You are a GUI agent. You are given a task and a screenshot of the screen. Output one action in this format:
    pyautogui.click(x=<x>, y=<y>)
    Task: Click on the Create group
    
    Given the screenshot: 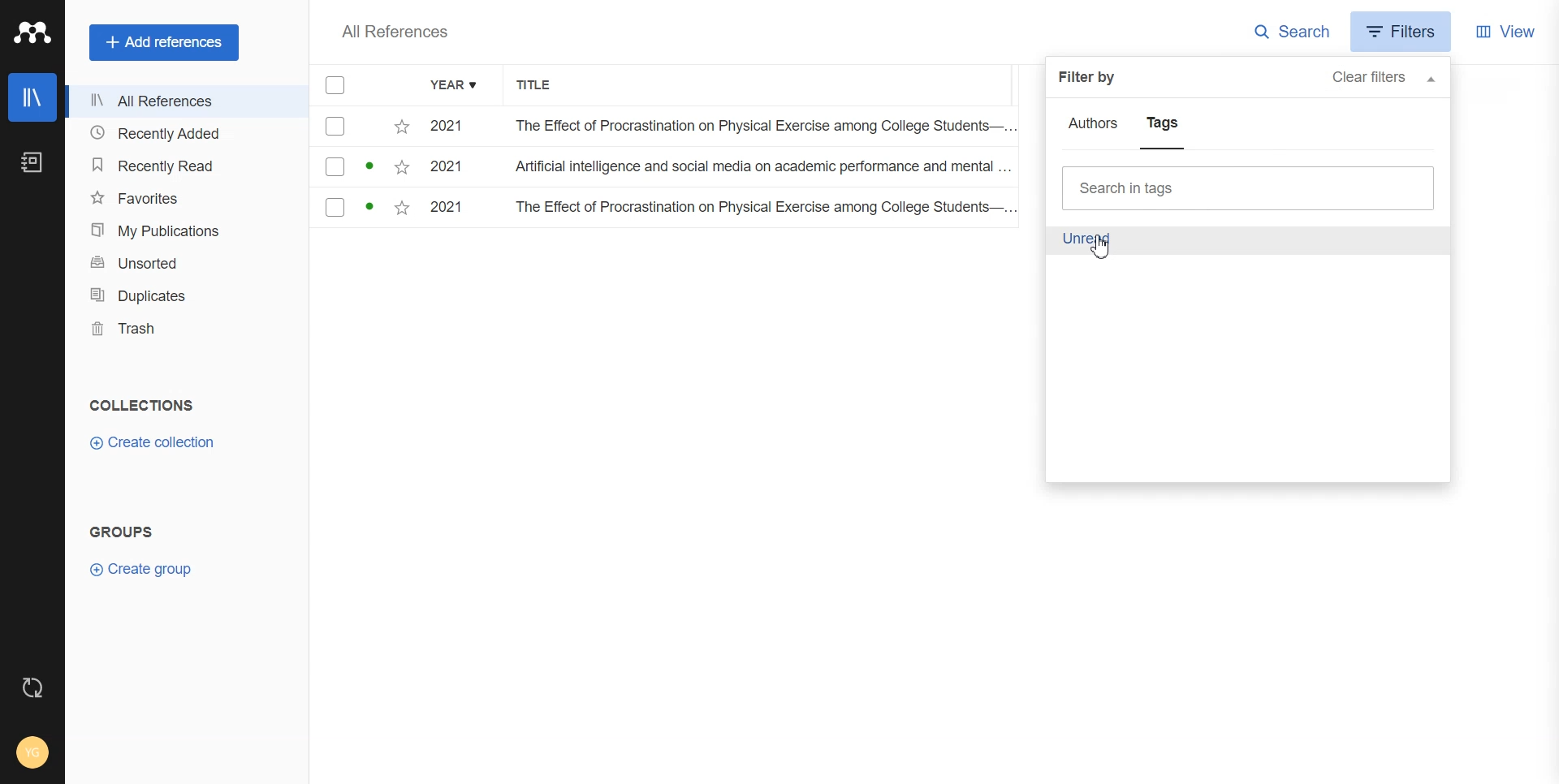 What is the action you would take?
    pyautogui.click(x=140, y=569)
    